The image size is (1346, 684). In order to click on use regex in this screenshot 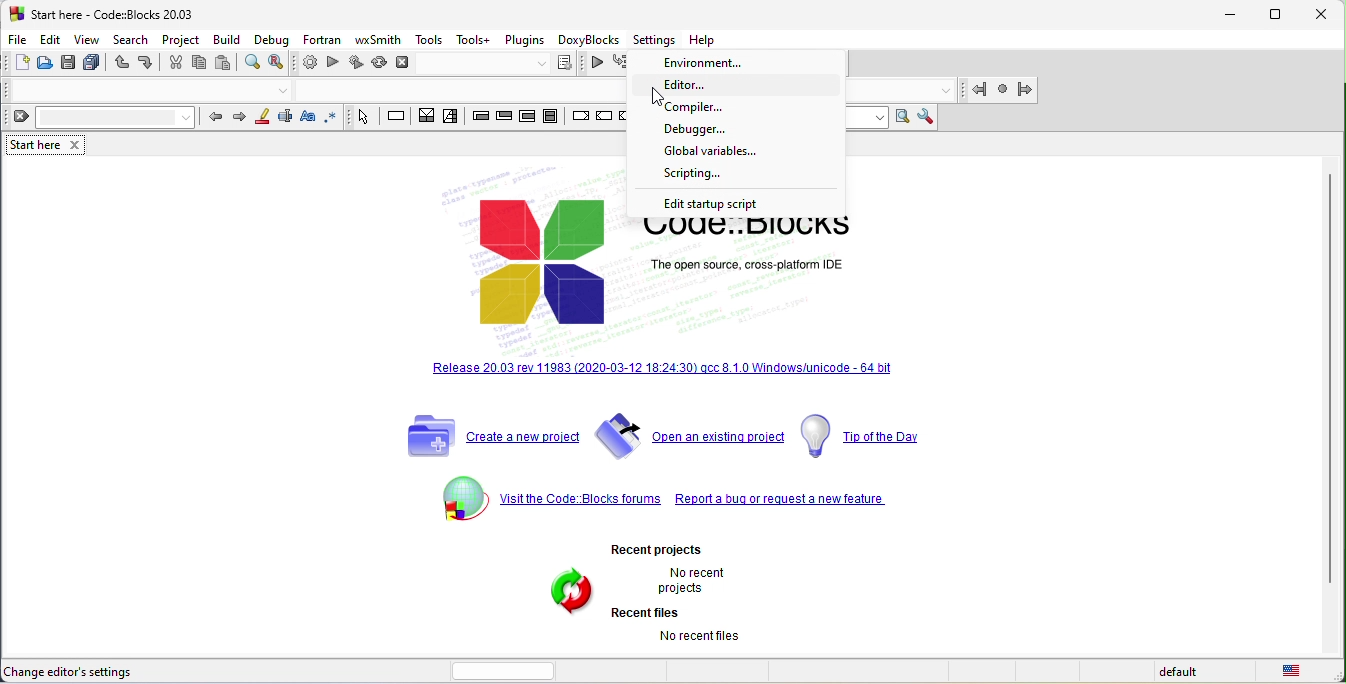, I will do `click(337, 117)`.